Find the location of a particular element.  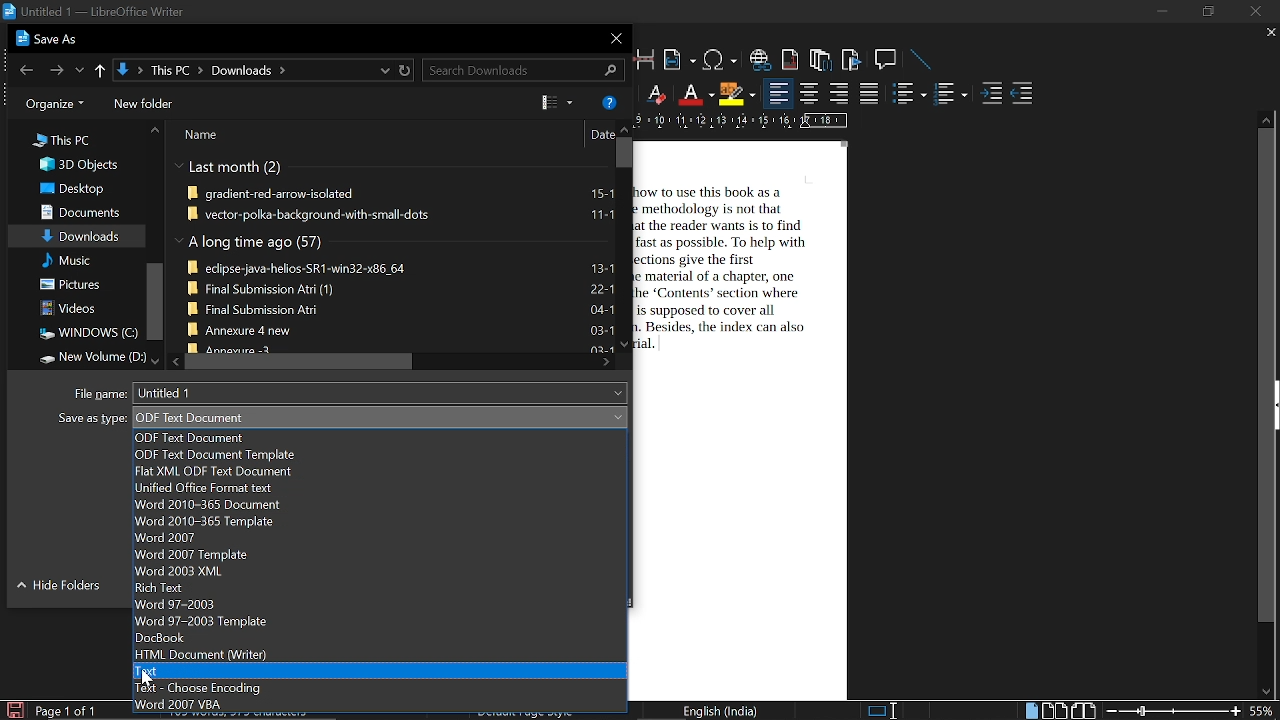

previous location is located at coordinates (80, 68).